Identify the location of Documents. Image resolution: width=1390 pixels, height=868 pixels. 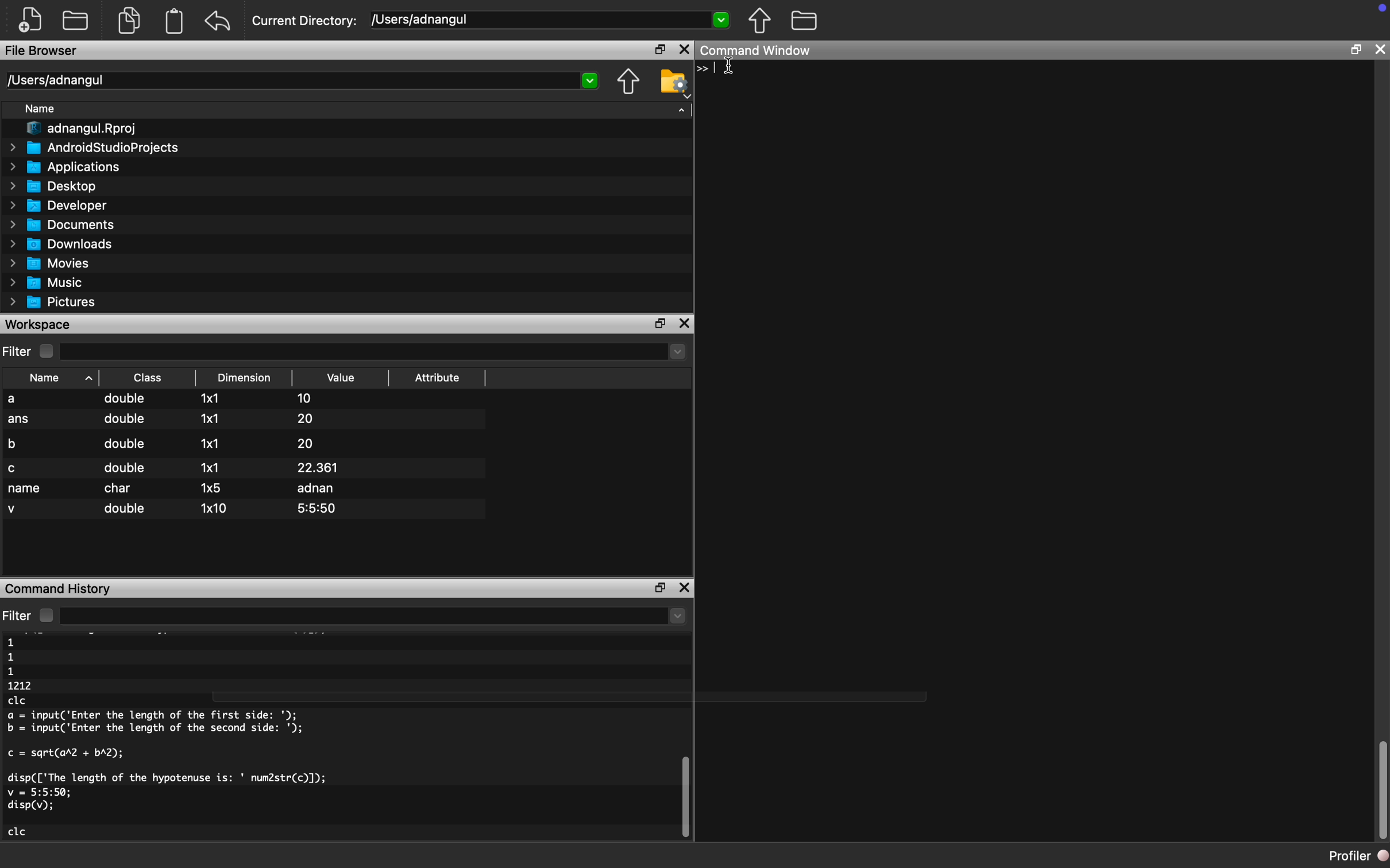
(57, 224).